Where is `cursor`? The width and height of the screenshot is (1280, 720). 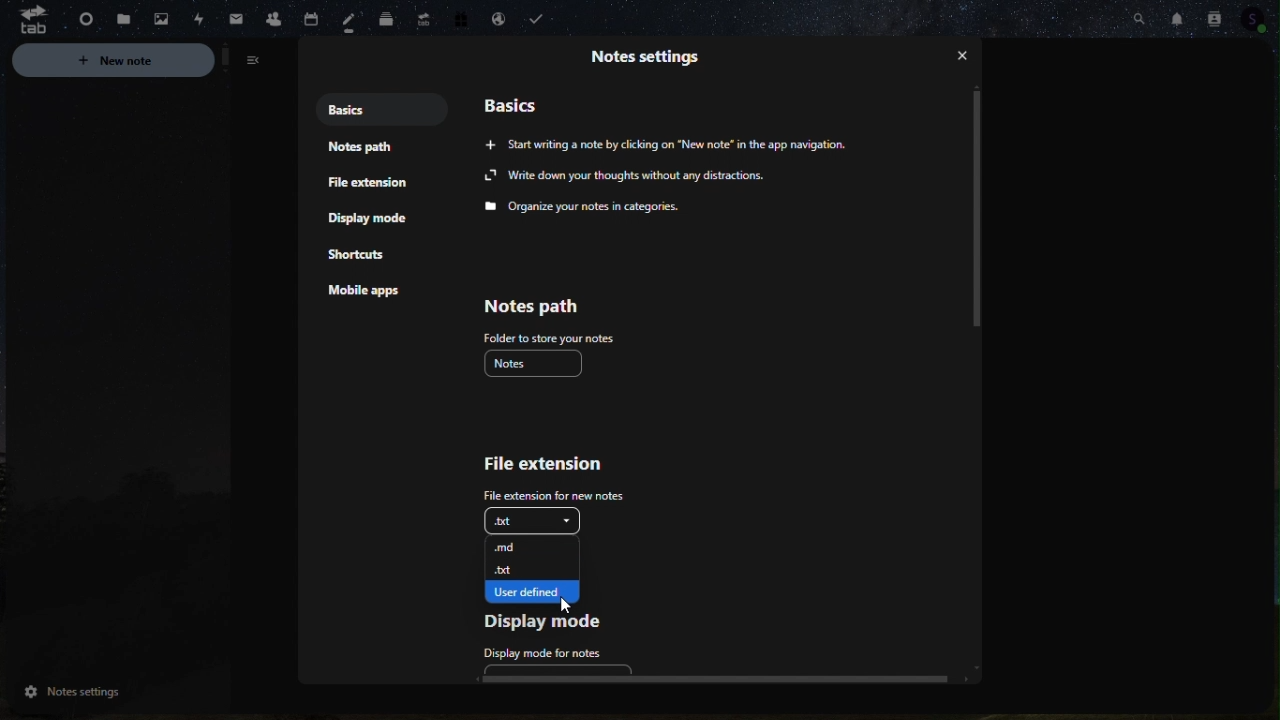
cursor is located at coordinates (565, 609).